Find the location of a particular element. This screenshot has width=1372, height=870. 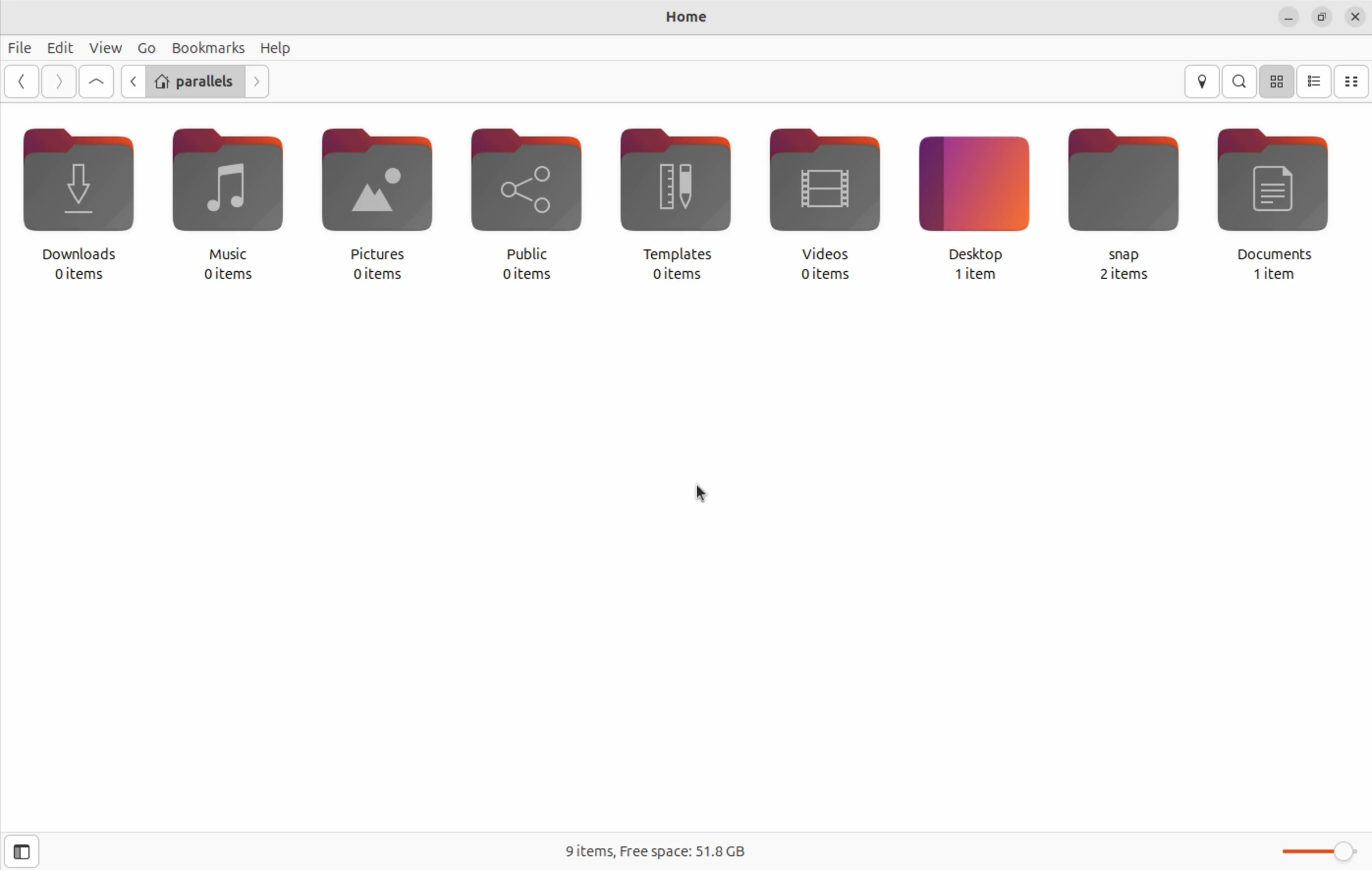

1 item is located at coordinates (1272, 276).